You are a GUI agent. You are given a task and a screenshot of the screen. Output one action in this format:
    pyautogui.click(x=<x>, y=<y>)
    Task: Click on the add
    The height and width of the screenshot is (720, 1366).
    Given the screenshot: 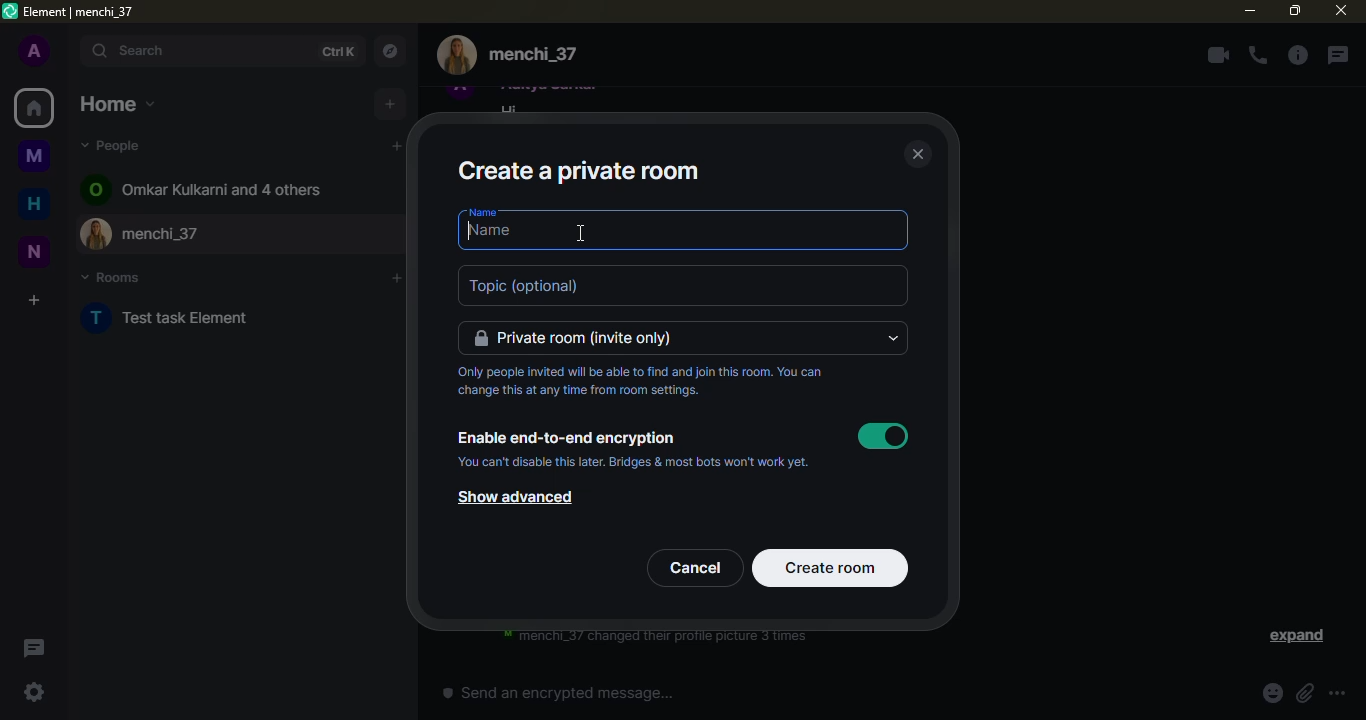 What is the action you would take?
    pyautogui.click(x=390, y=104)
    